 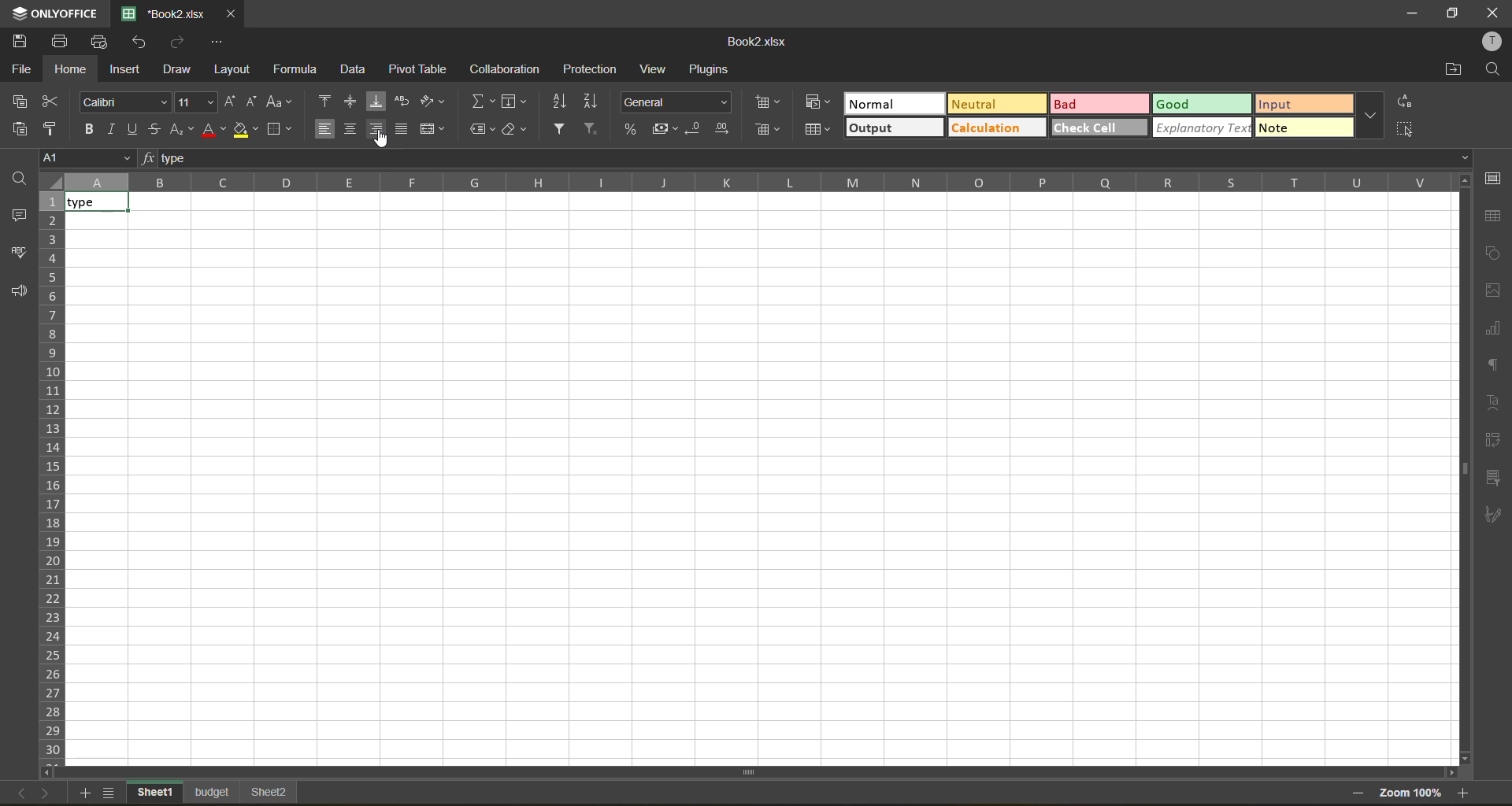 I want to click on merge and center, so click(x=434, y=129).